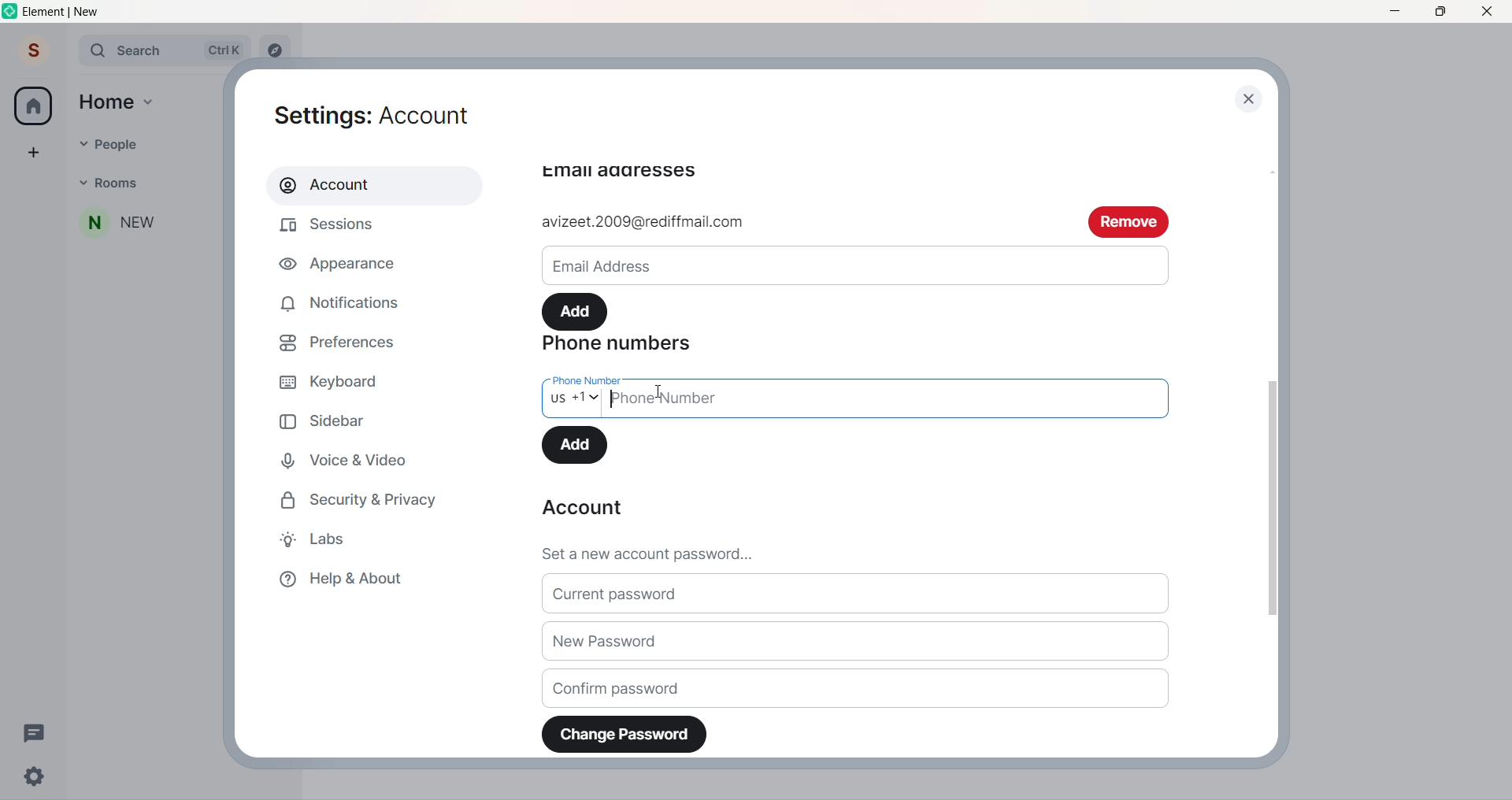  I want to click on Current Password, so click(858, 594).